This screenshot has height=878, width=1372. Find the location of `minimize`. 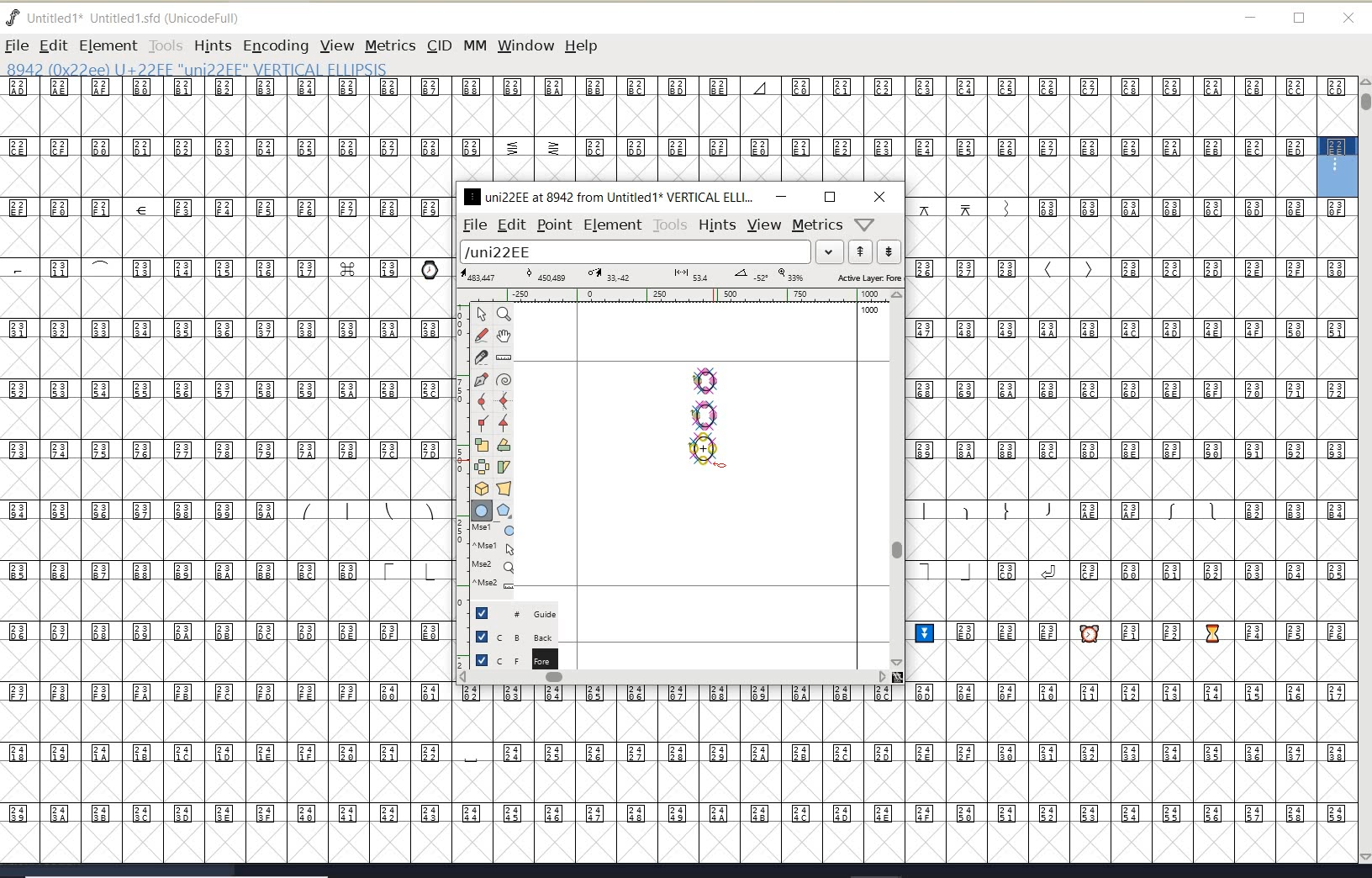

minimize is located at coordinates (1251, 18).